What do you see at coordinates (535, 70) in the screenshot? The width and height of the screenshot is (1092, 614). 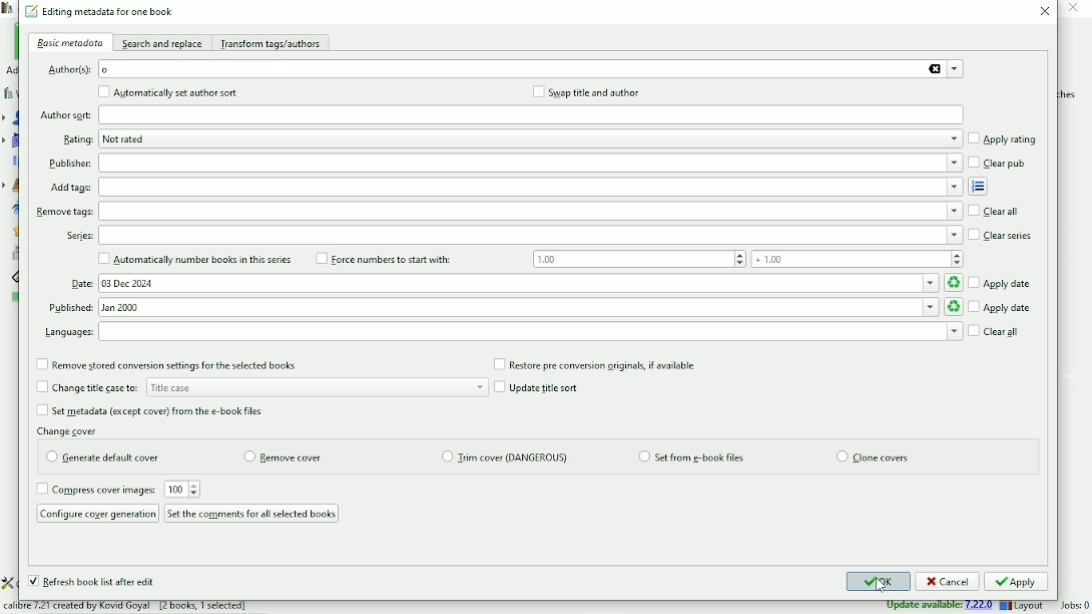 I see `Author(s)` at bounding box center [535, 70].